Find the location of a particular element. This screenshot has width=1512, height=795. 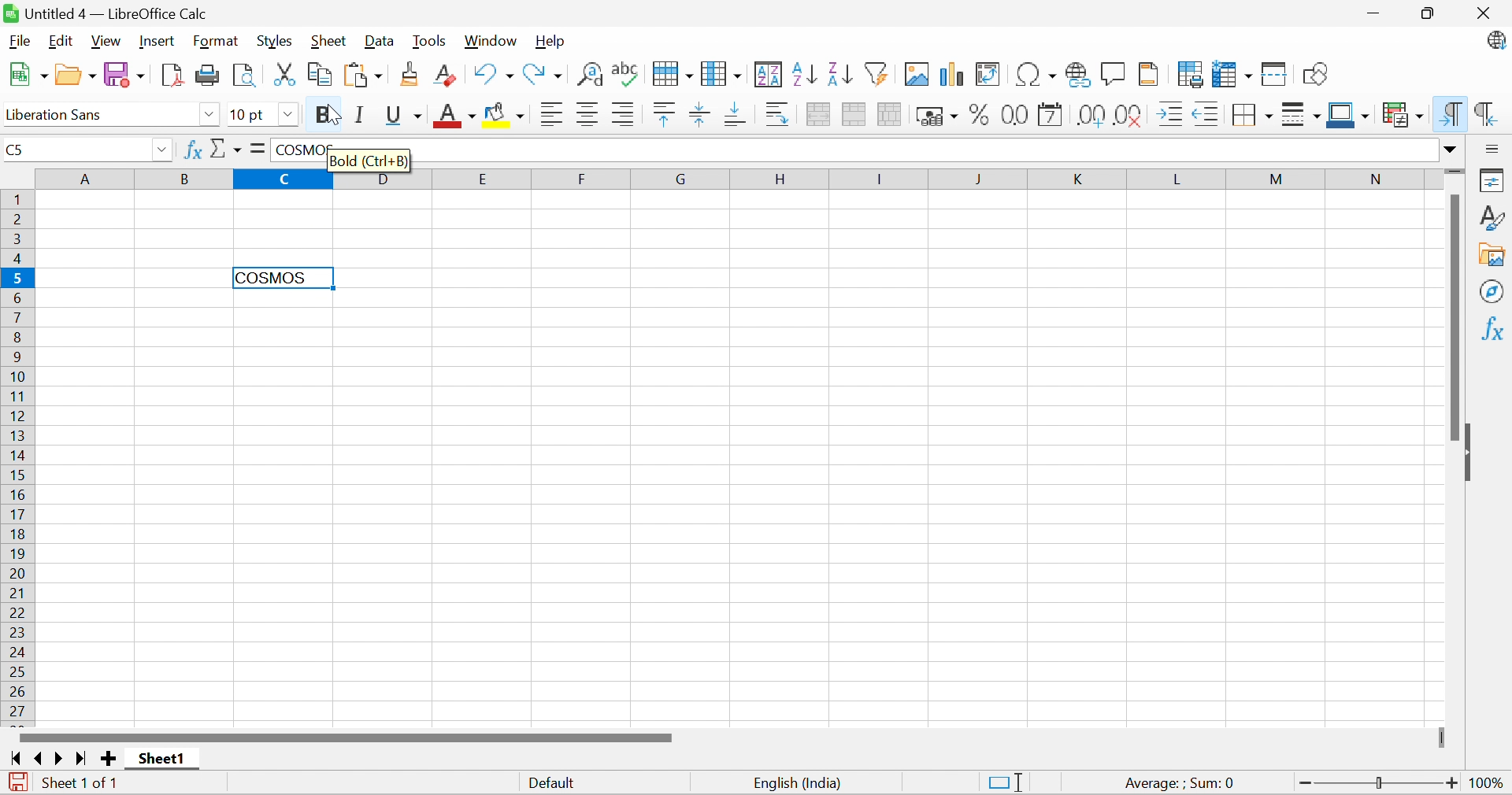

100% is located at coordinates (1490, 785).